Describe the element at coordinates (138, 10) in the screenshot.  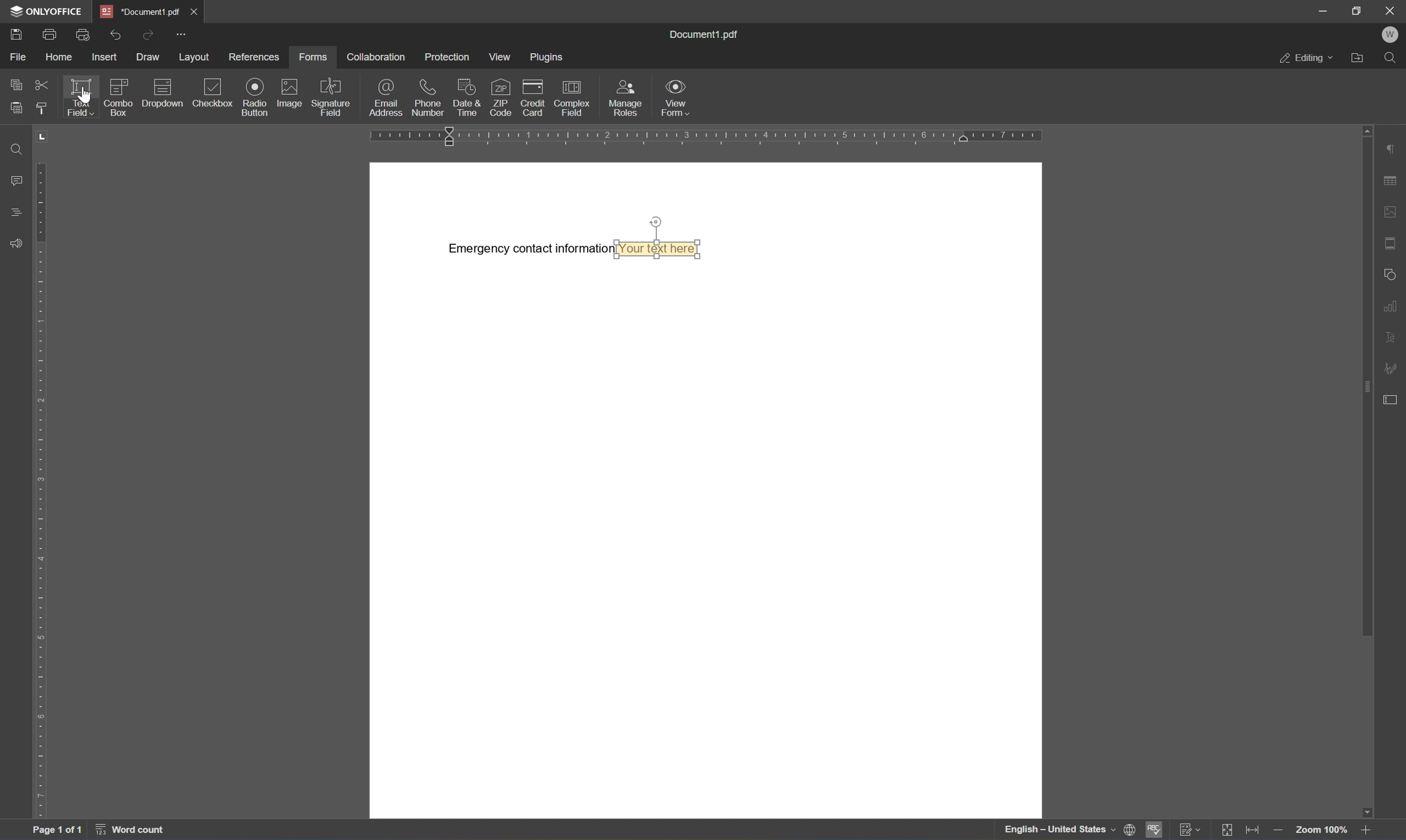
I see `*document1.pdf` at that location.